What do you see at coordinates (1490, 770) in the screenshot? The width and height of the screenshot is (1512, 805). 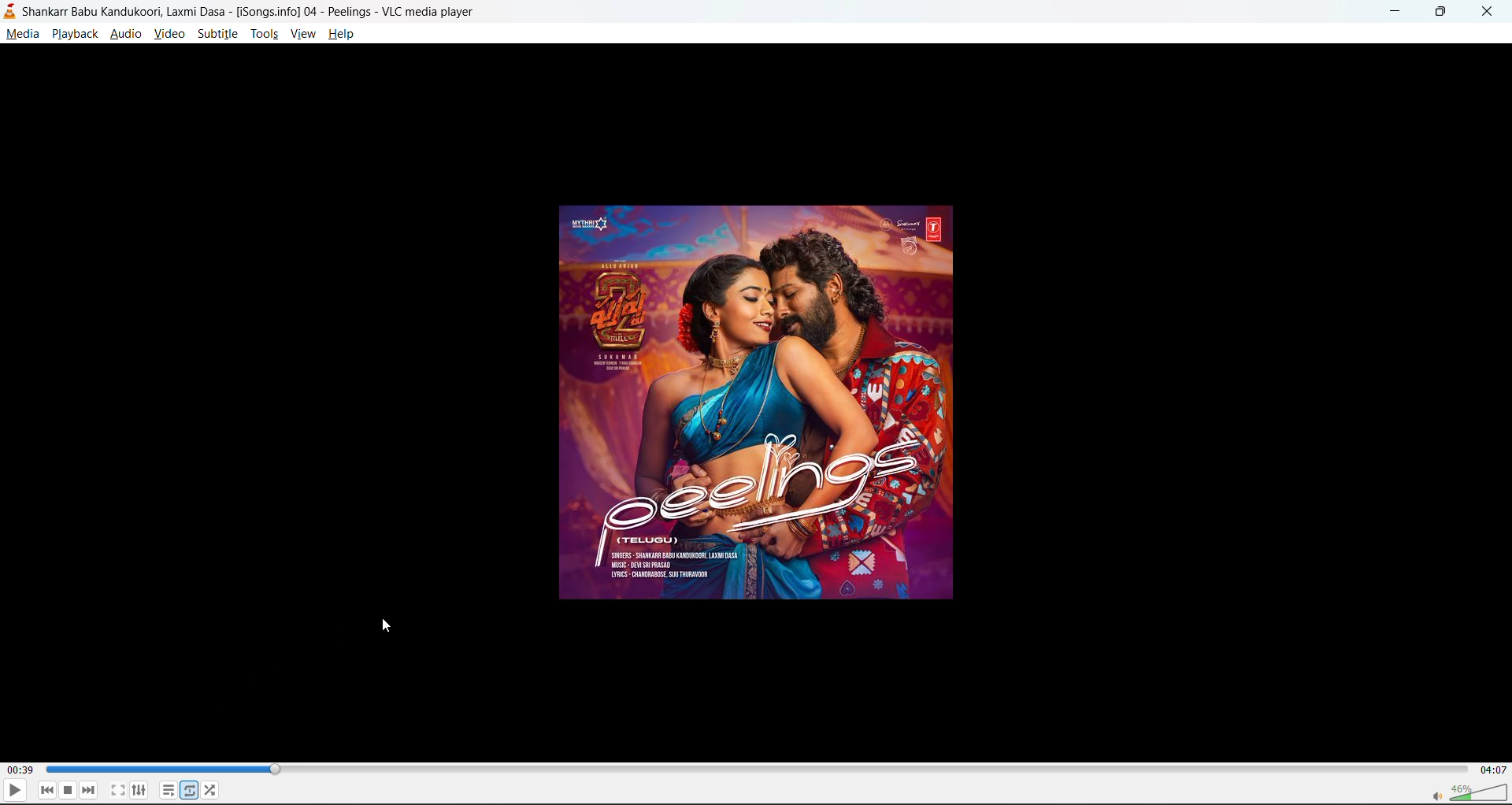 I see `04:07` at bounding box center [1490, 770].